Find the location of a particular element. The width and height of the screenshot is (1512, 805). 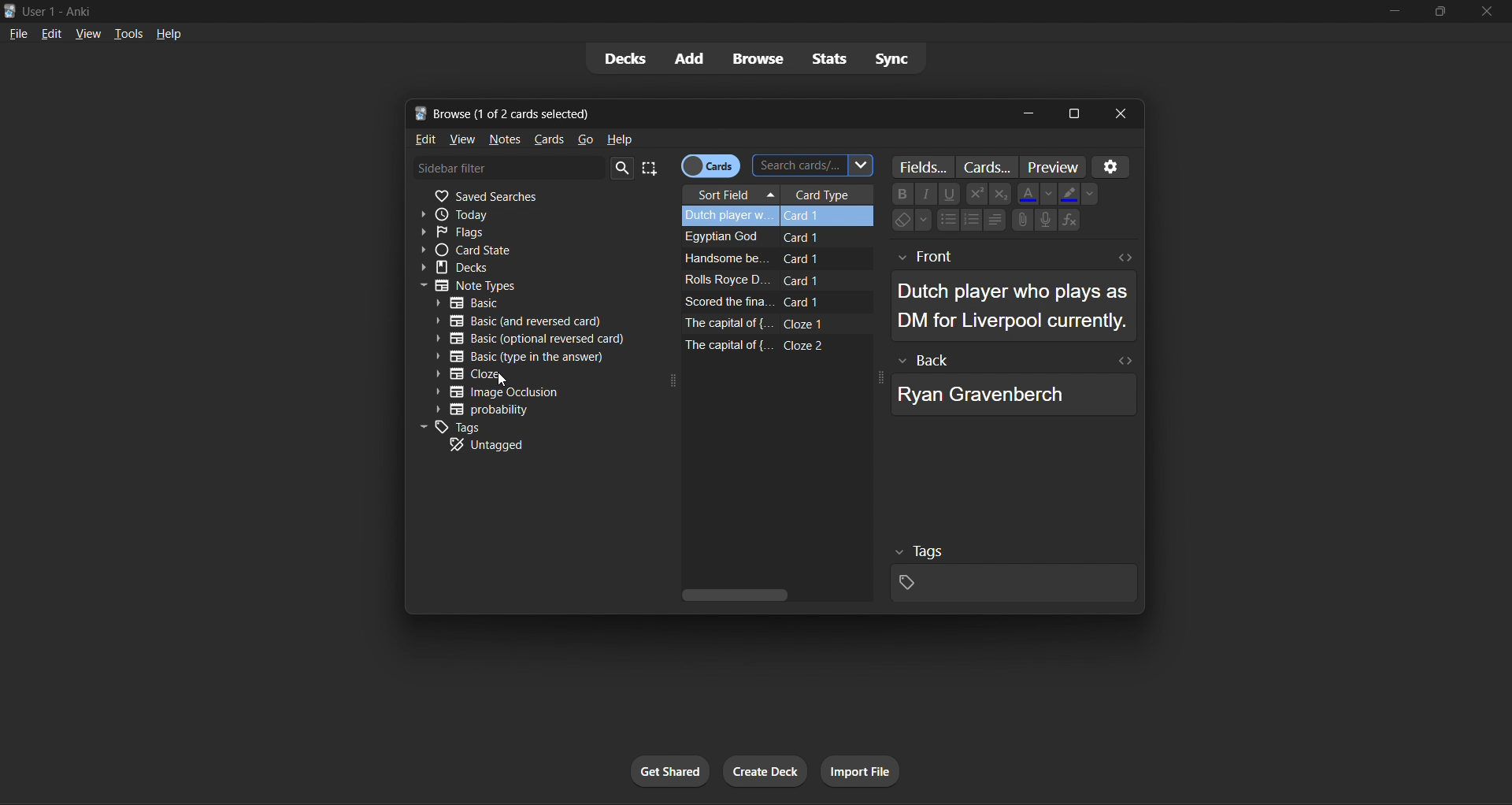

card state filter expand is located at coordinates (532, 251).